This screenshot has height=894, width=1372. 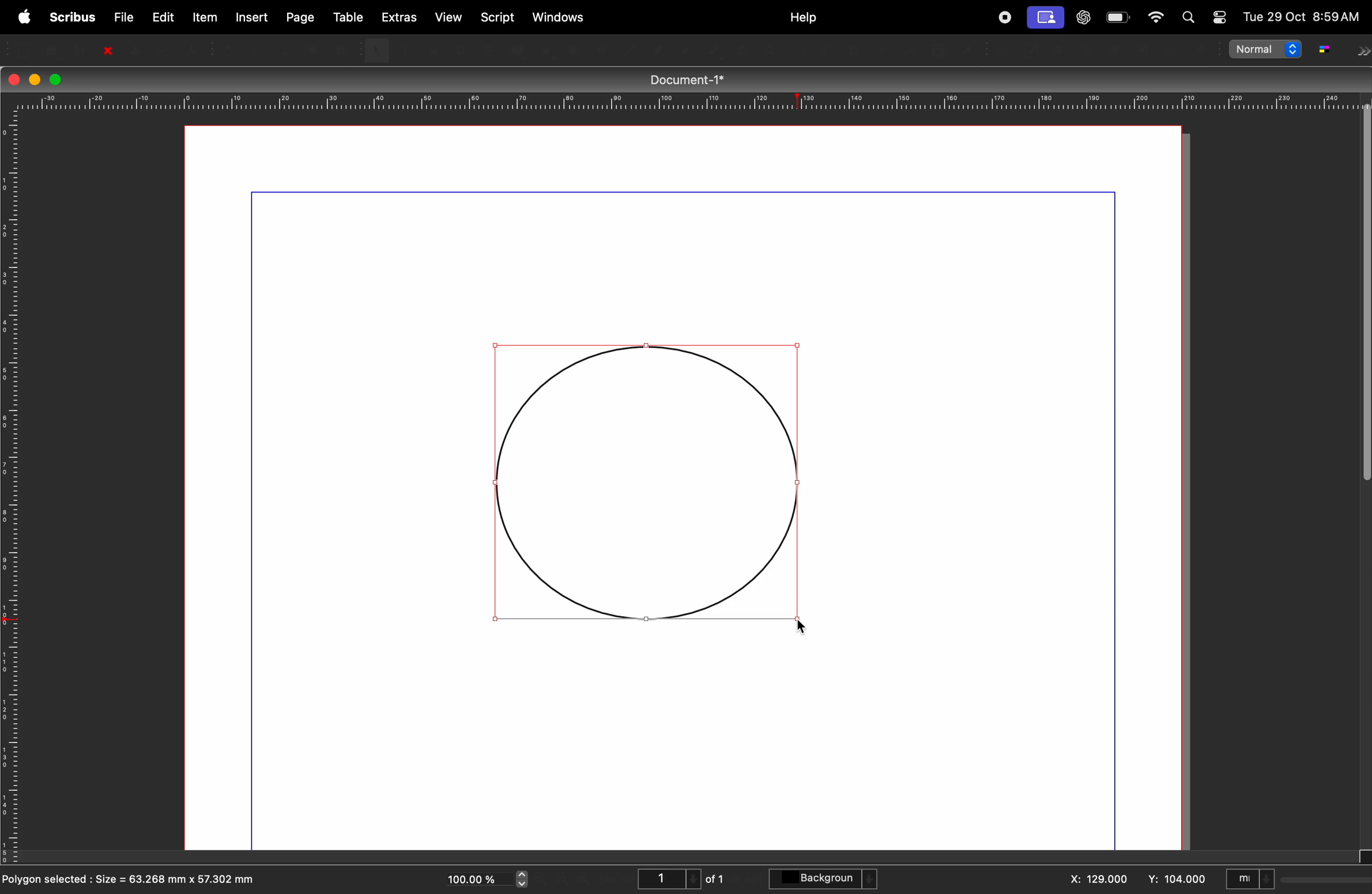 I want to click on edit text with story editor, so click(x=825, y=50).